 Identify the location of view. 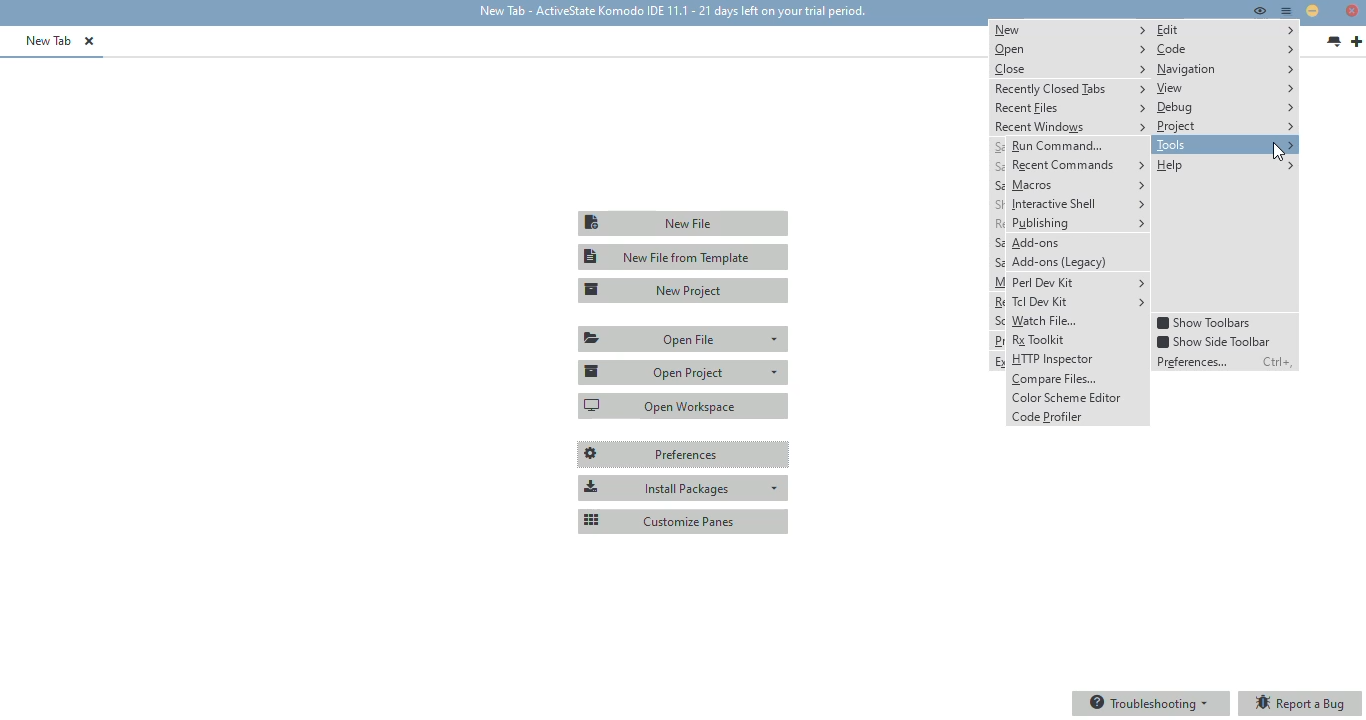
(1225, 88).